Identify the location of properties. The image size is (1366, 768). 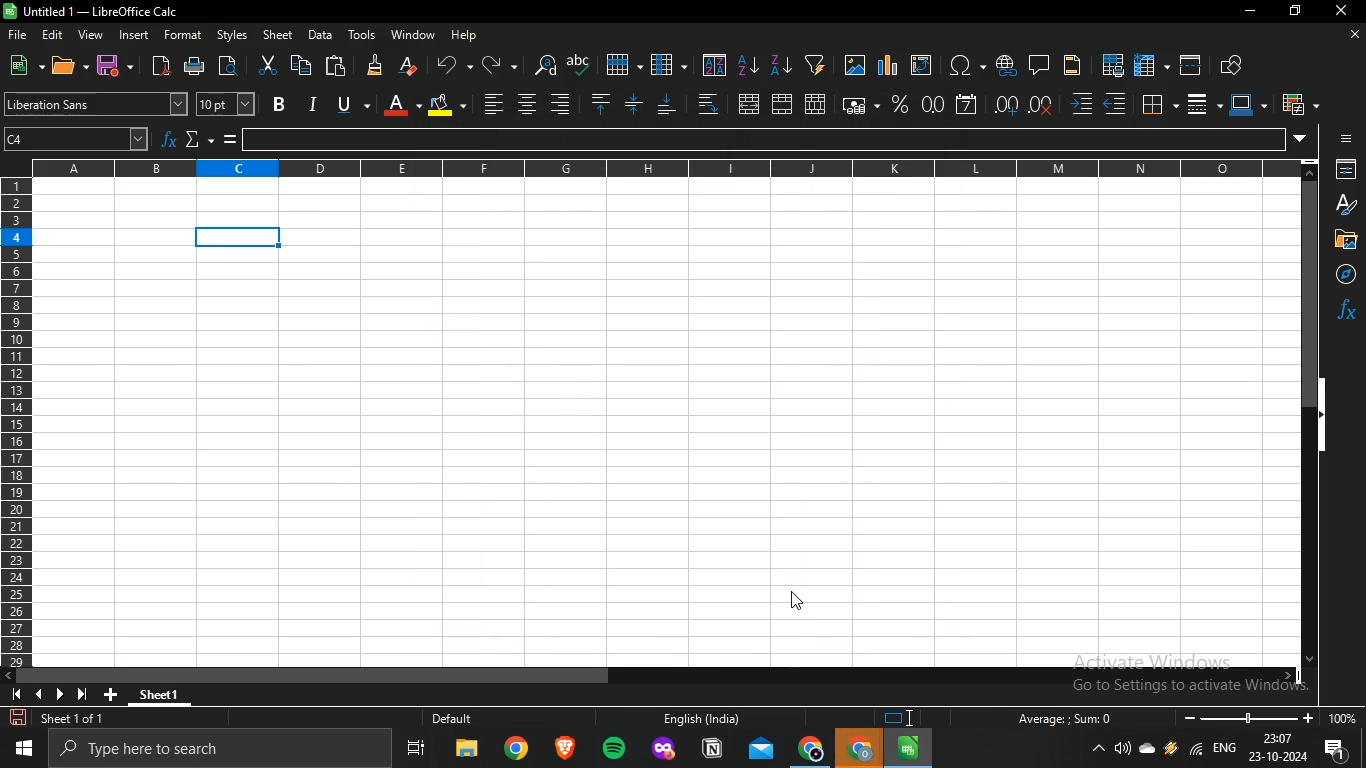
(1343, 170).